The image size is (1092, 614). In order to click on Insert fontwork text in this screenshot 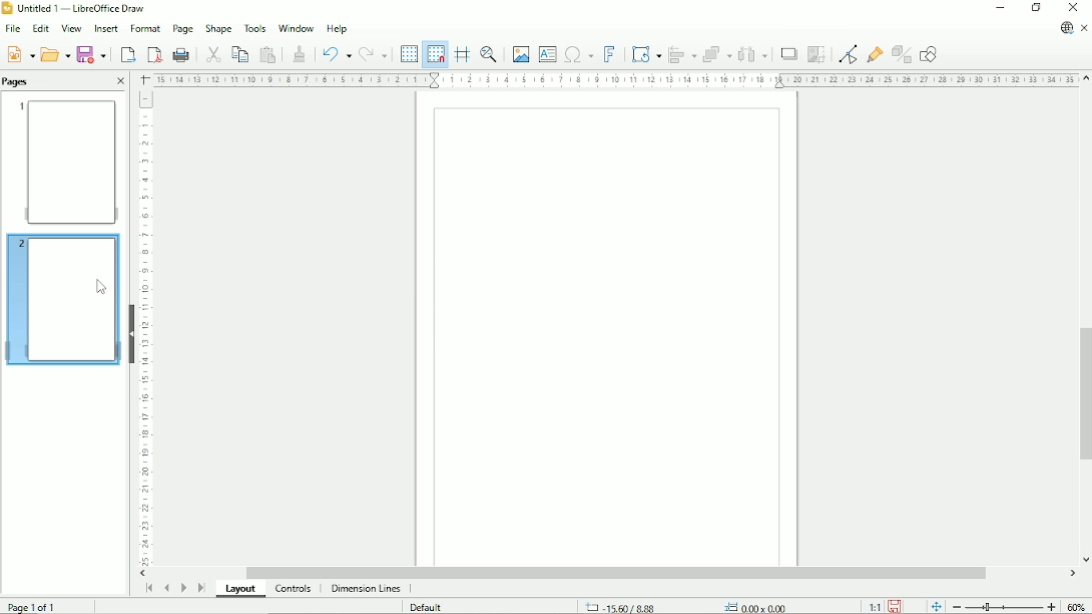, I will do `click(610, 53)`.